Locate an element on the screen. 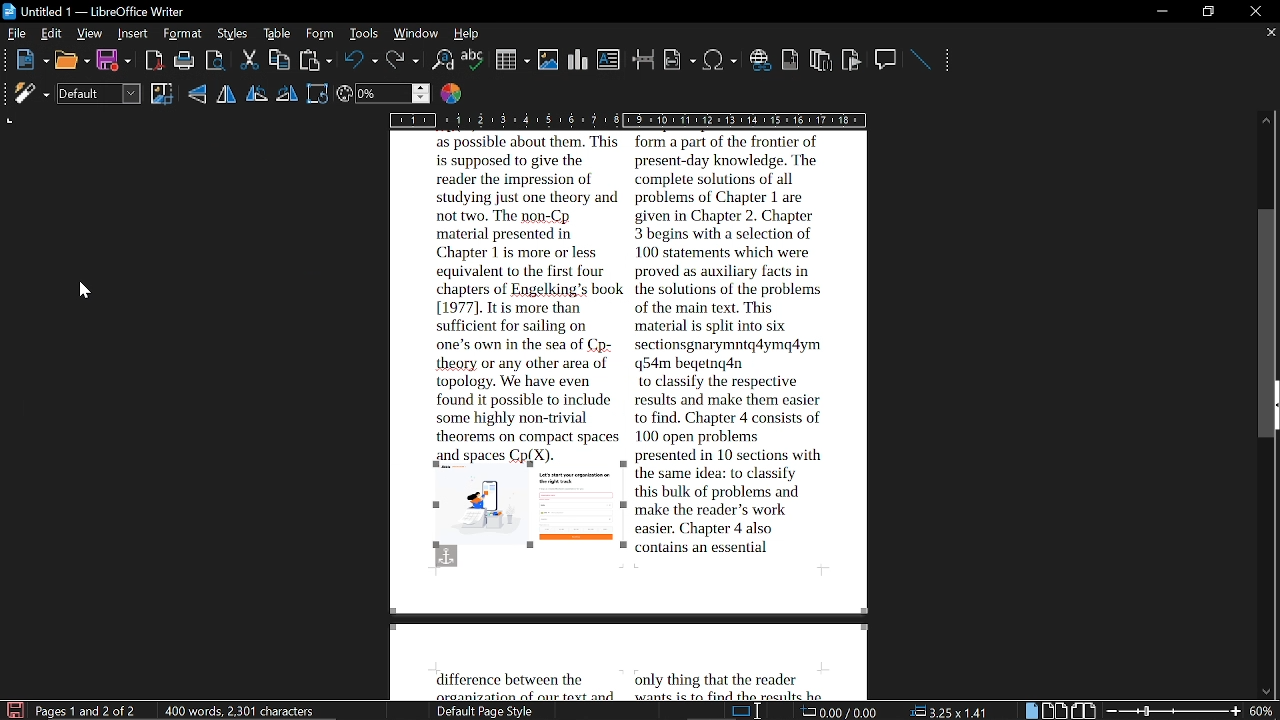 The image size is (1280, 720). restore down is located at coordinates (1203, 12).